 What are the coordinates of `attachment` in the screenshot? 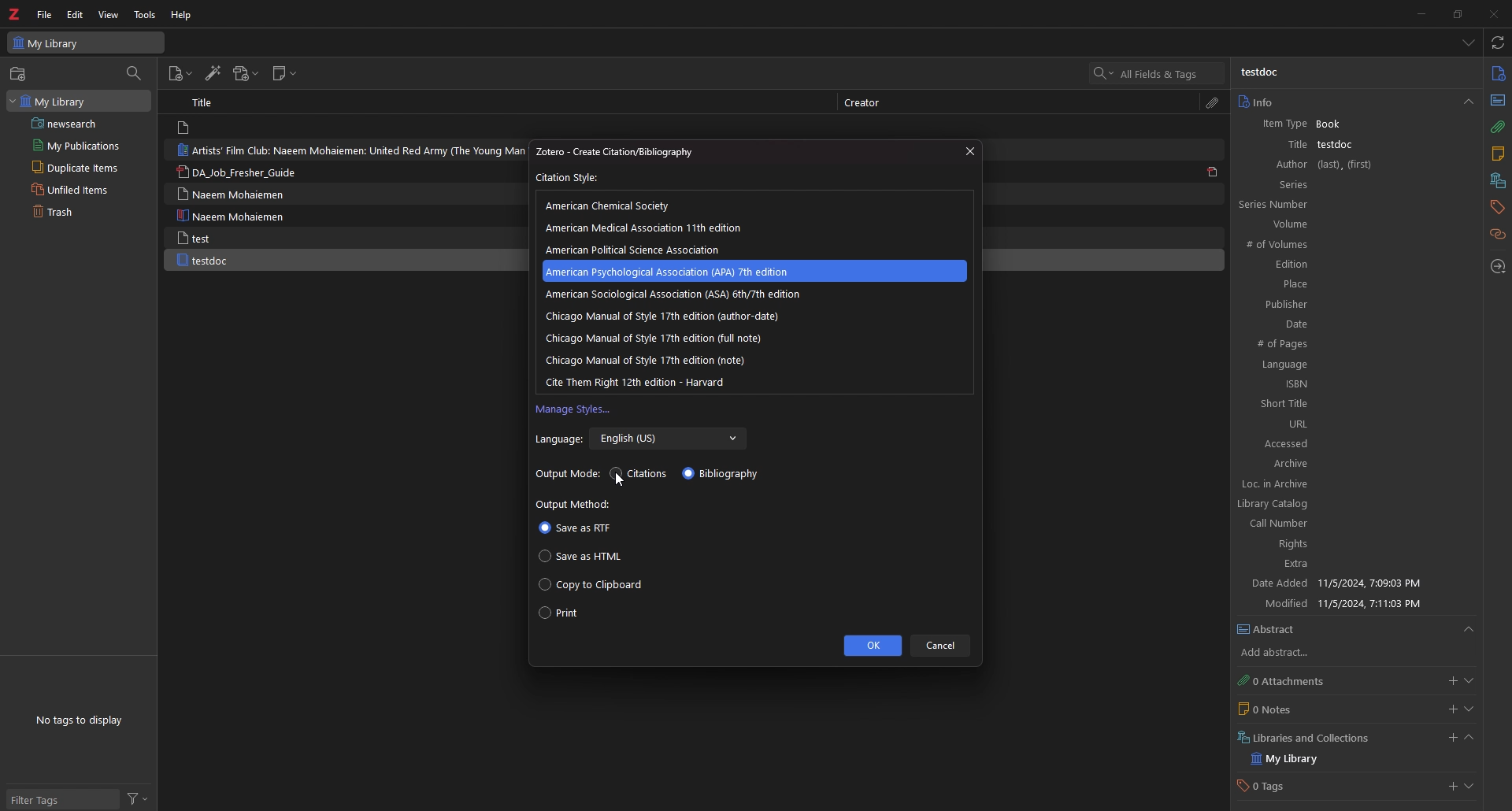 It's located at (1497, 128).